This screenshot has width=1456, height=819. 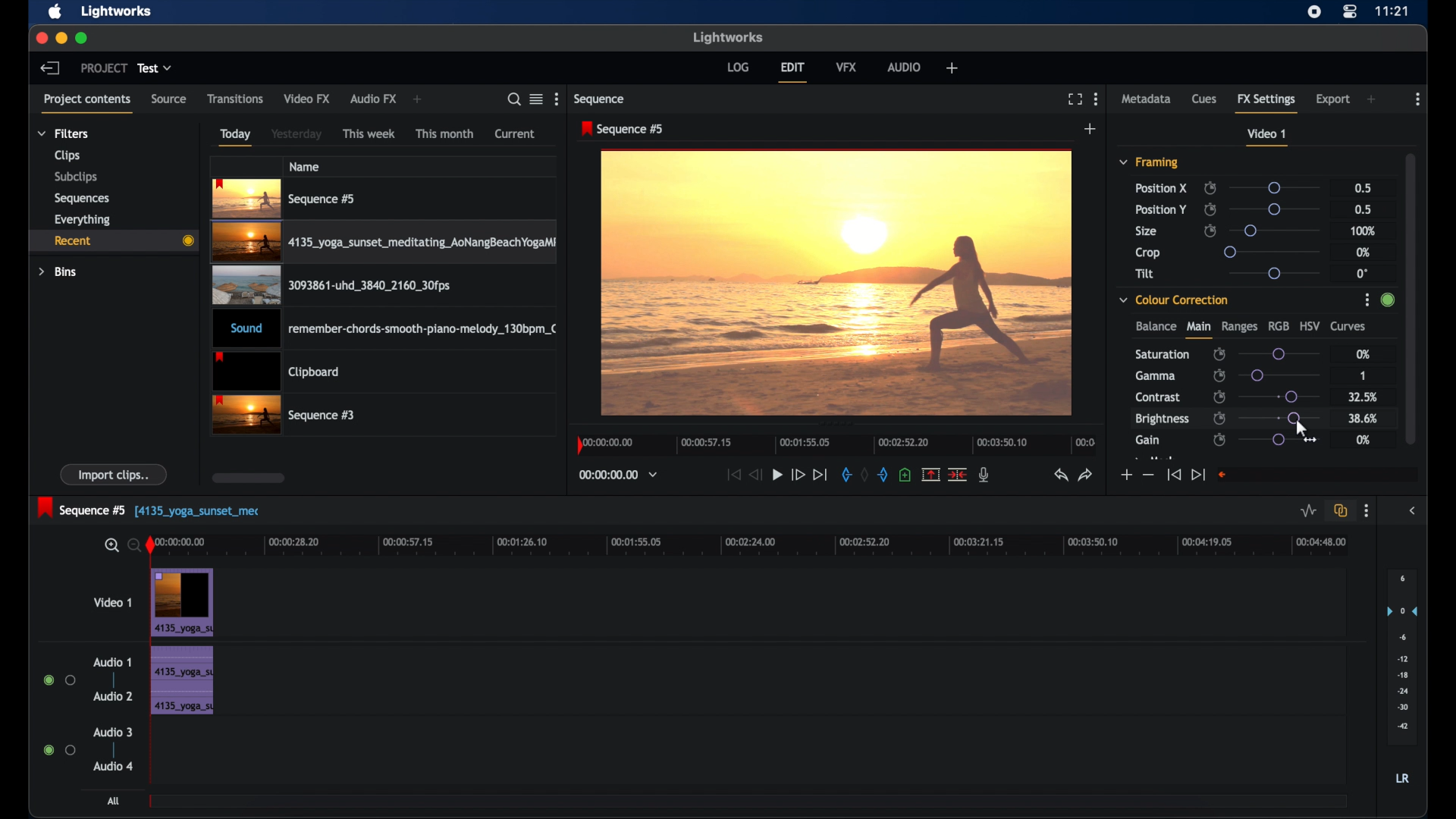 What do you see at coordinates (114, 602) in the screenshot?
I see `video 1` at bounding box center [114, 602].